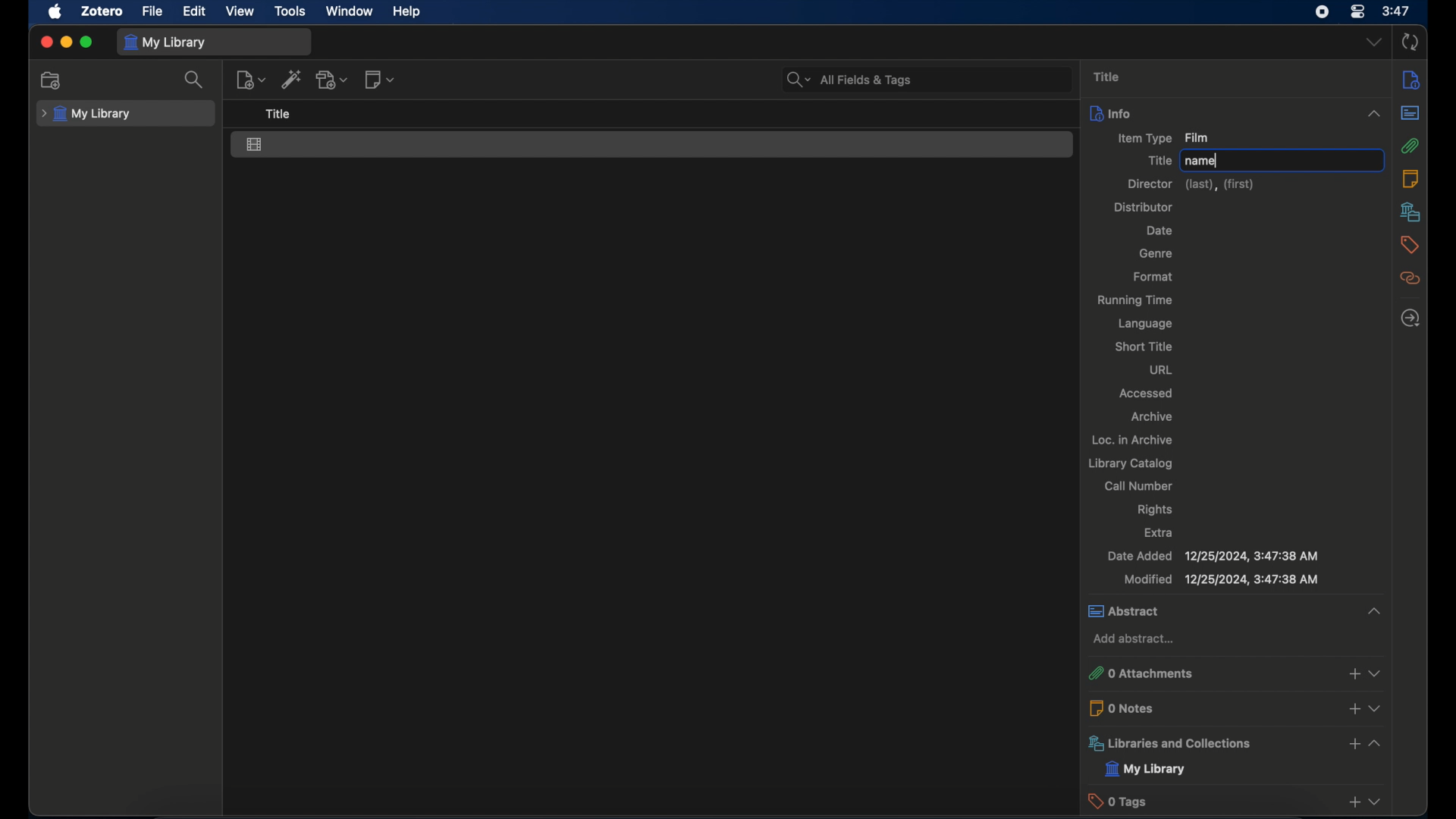 This screenshot has width=1456, height=819. I want to click on abstract, so click(1411, 113).